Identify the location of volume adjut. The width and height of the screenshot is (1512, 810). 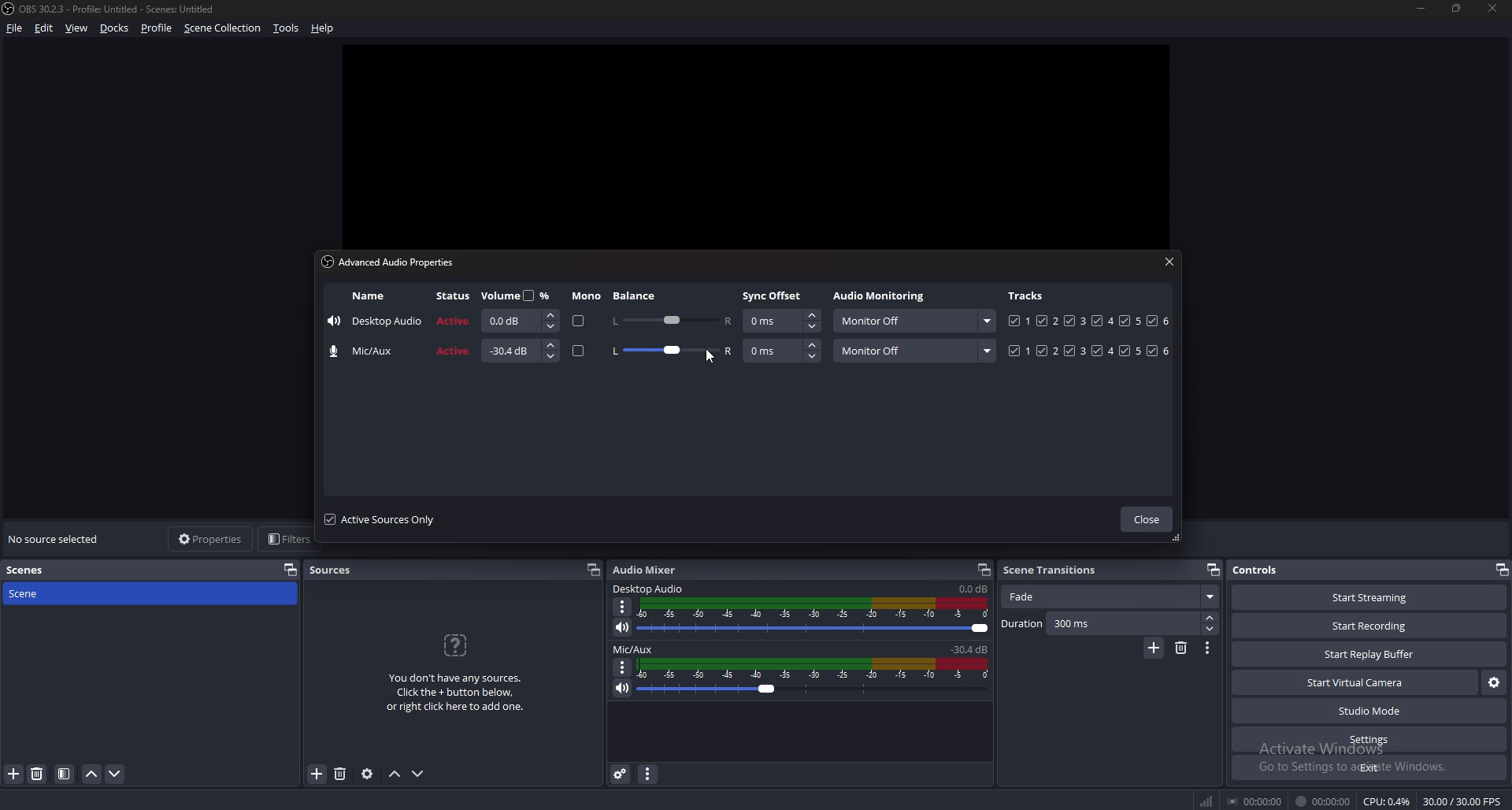
(518, 320).